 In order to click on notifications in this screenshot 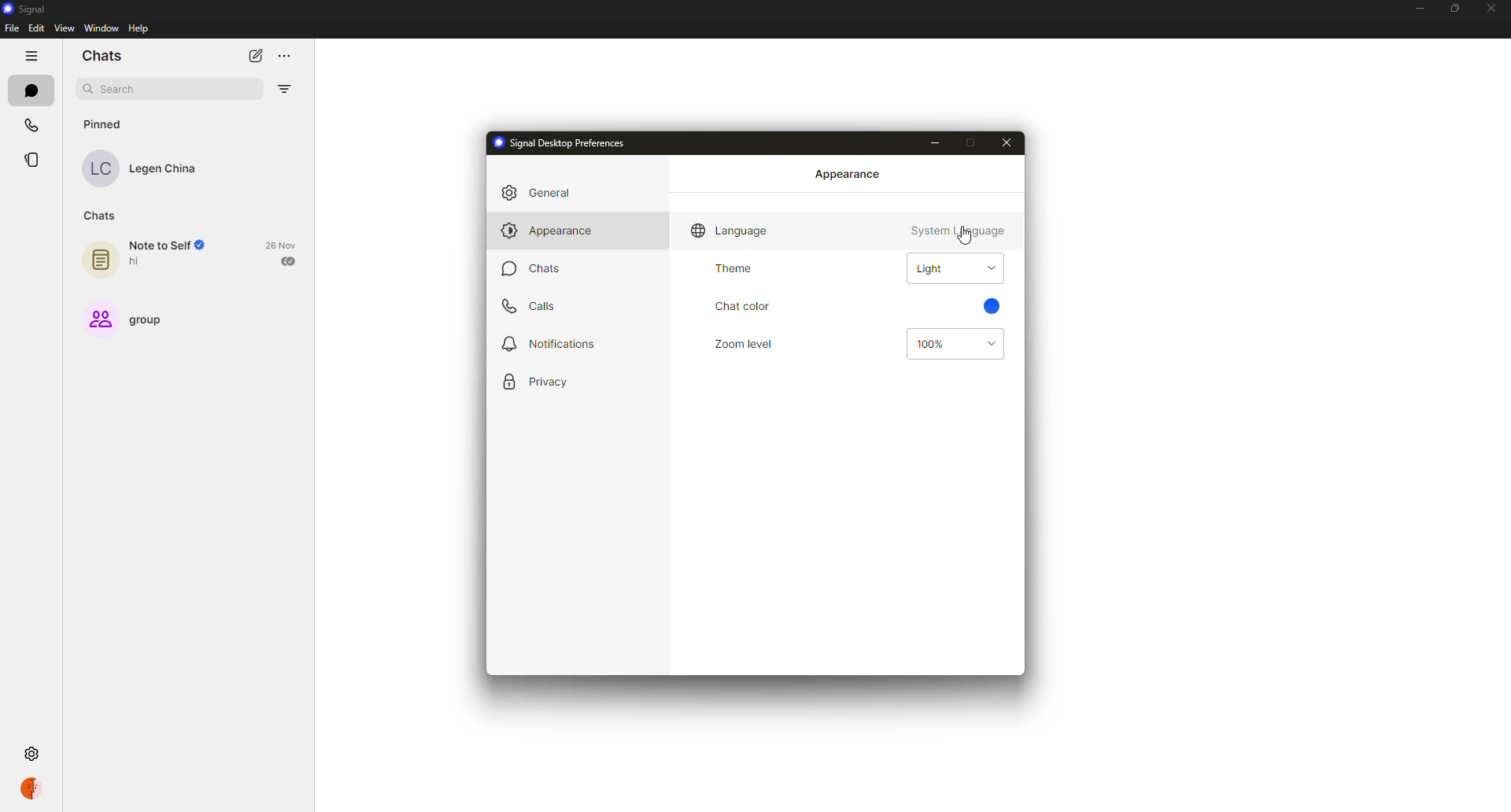, I will do `click(550, 342)`.